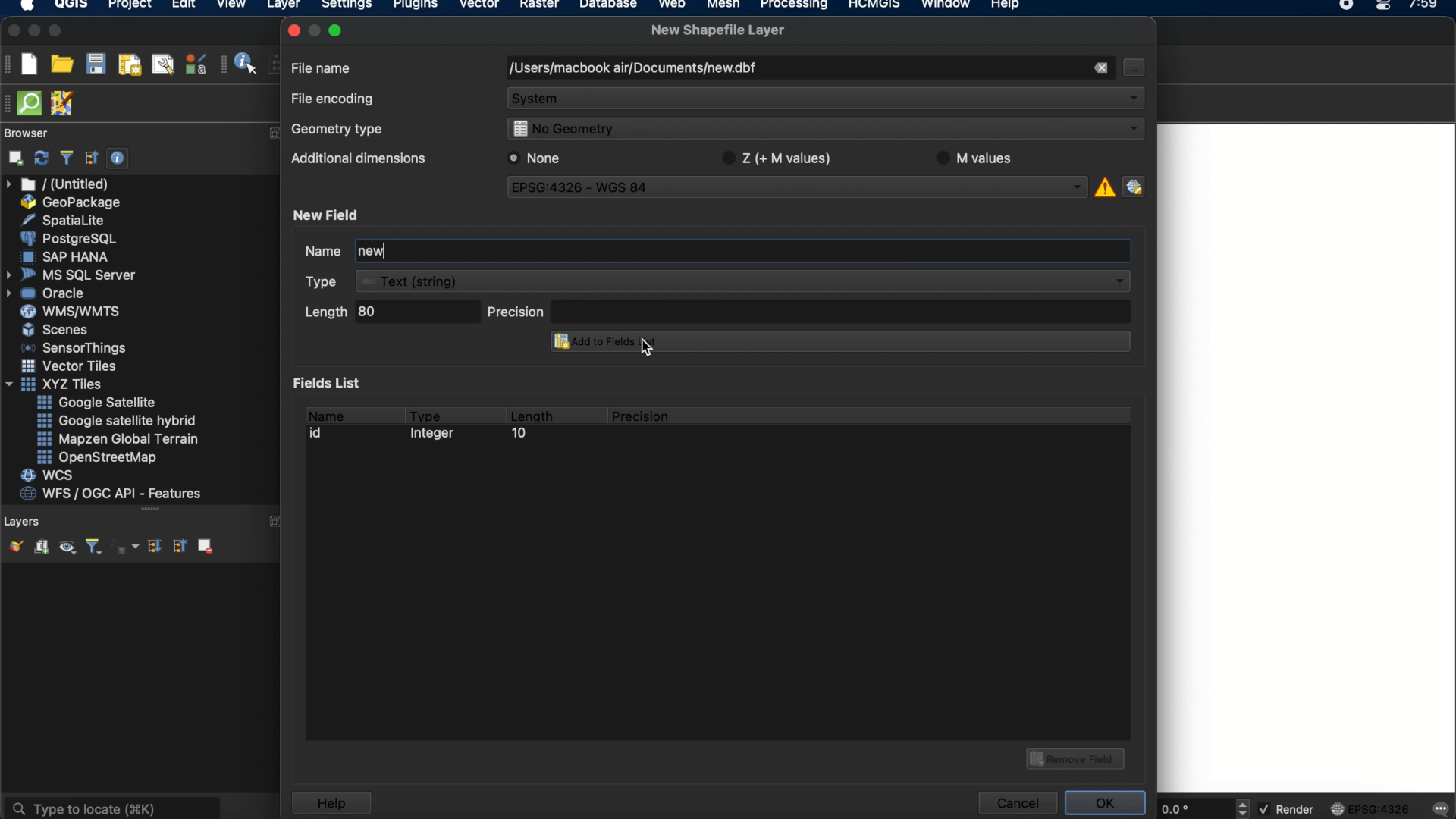  I want to click on view, so click(231, 6).